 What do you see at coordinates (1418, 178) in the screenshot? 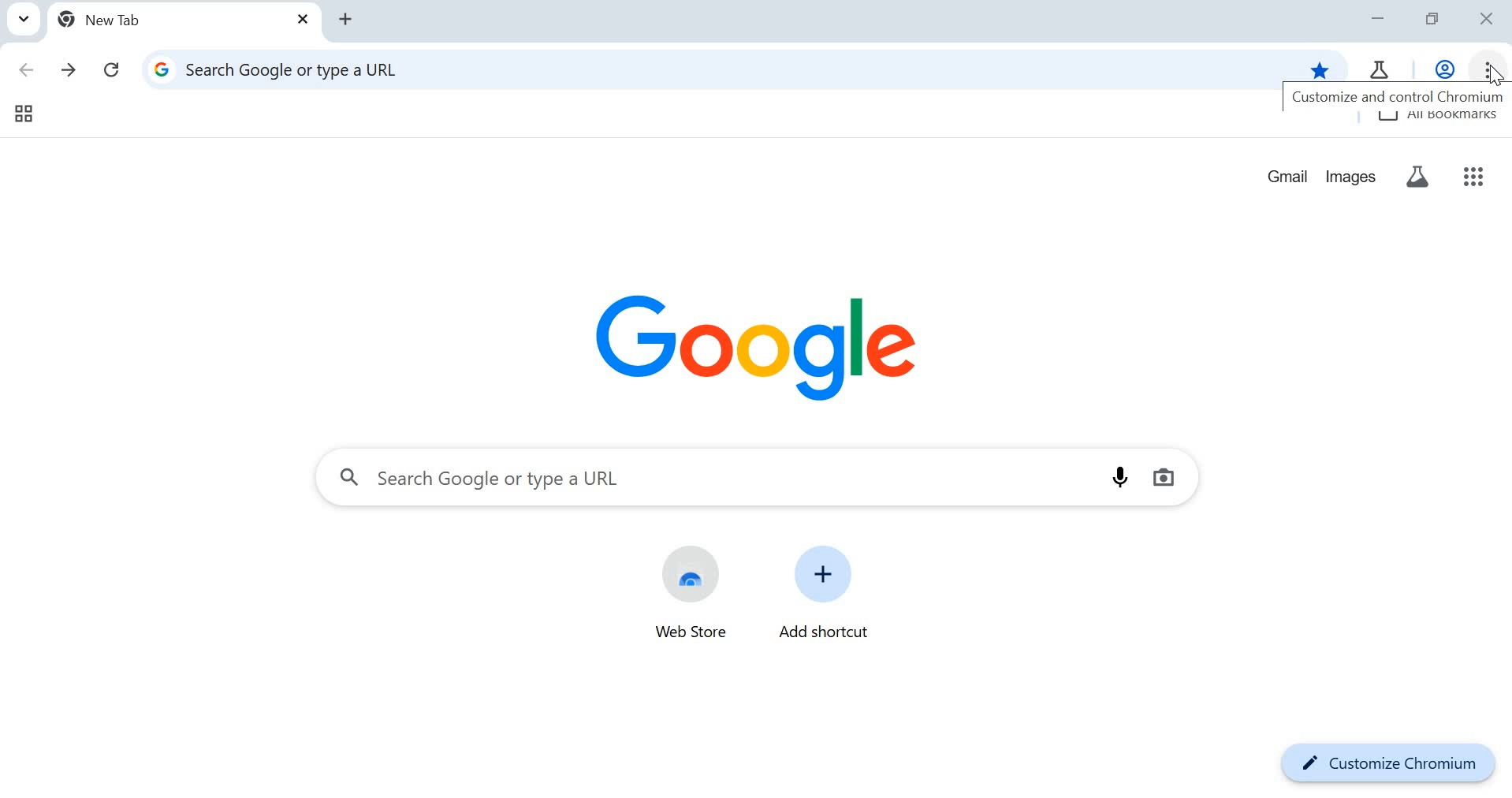
I see `search labs` at bounding box center [1418, 178].